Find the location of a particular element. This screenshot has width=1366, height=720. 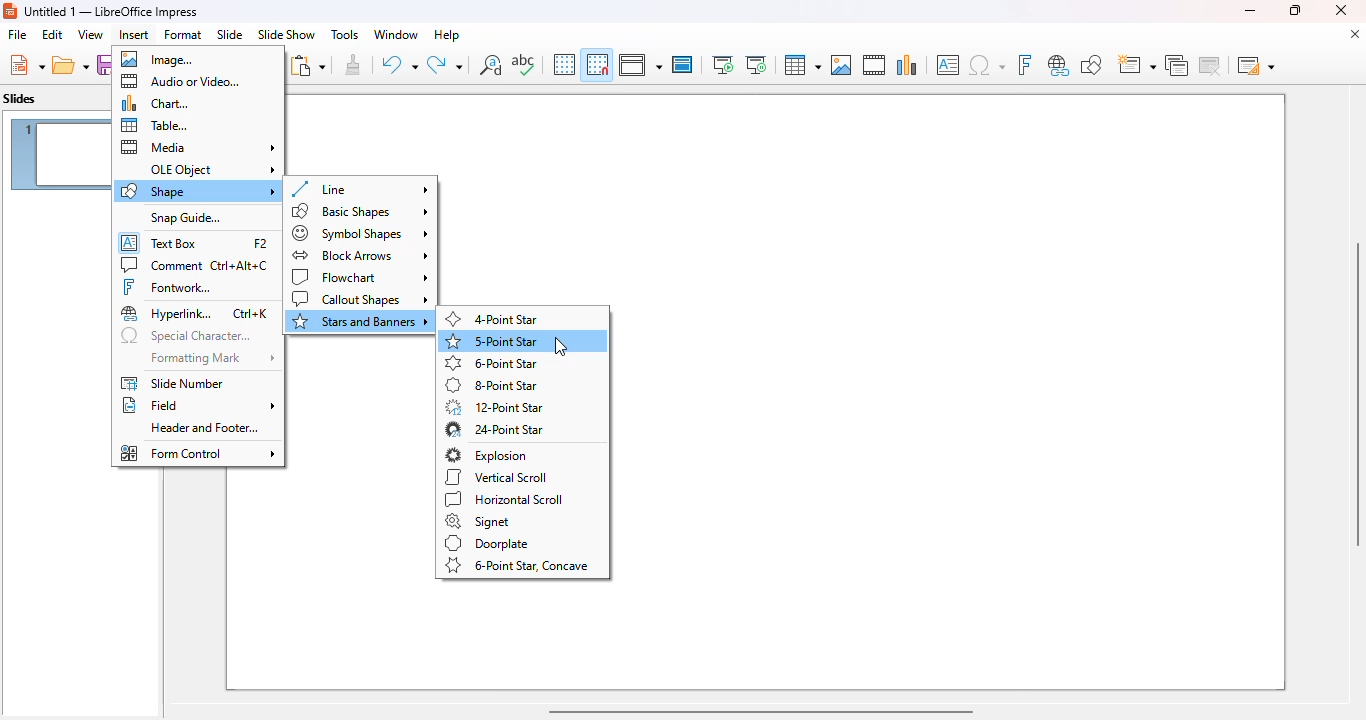

insert special characters is located at coordinates (987, 65).